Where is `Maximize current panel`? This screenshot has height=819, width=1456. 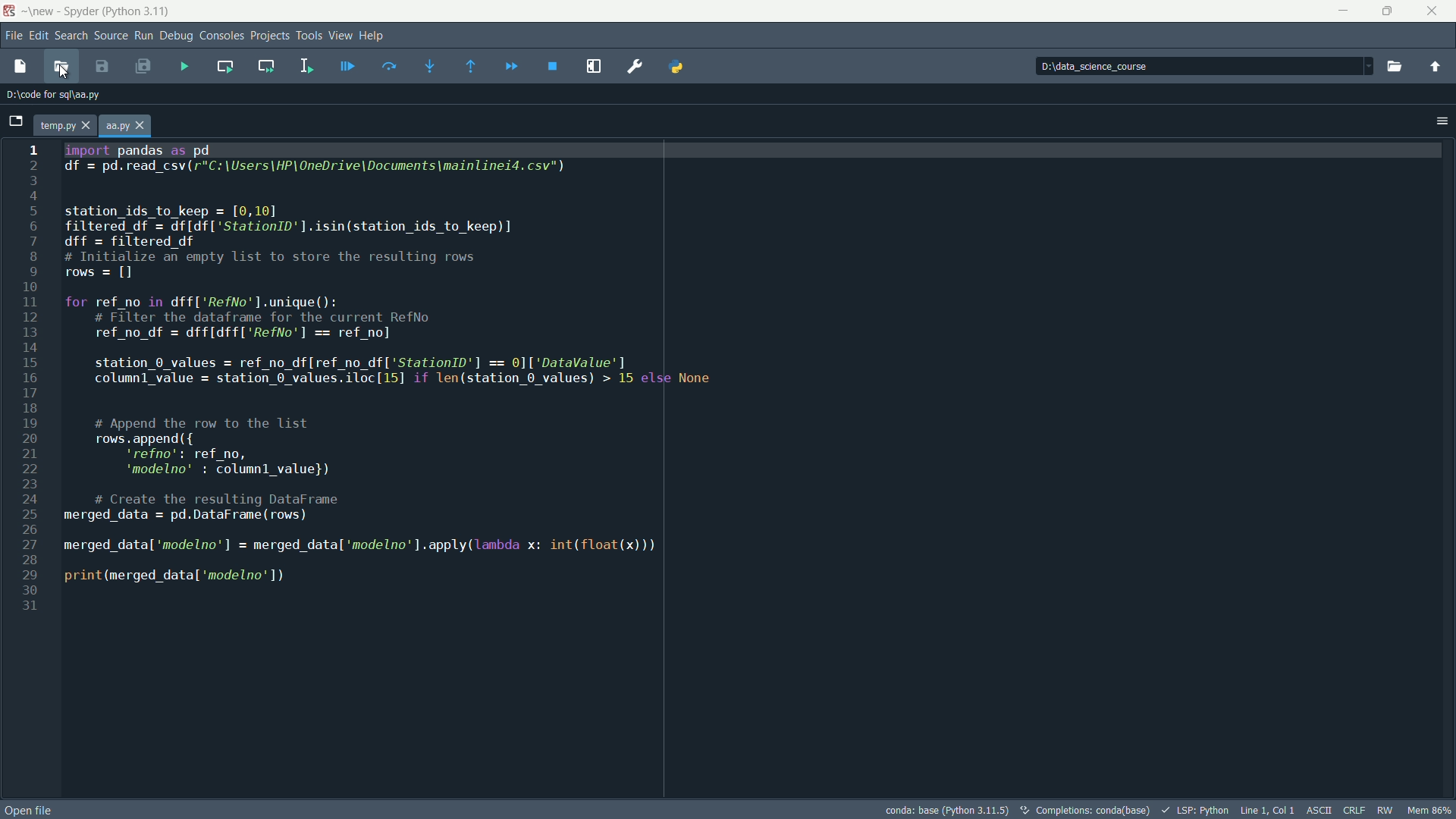
Maximize current panel is located at coordinates (591, 66).